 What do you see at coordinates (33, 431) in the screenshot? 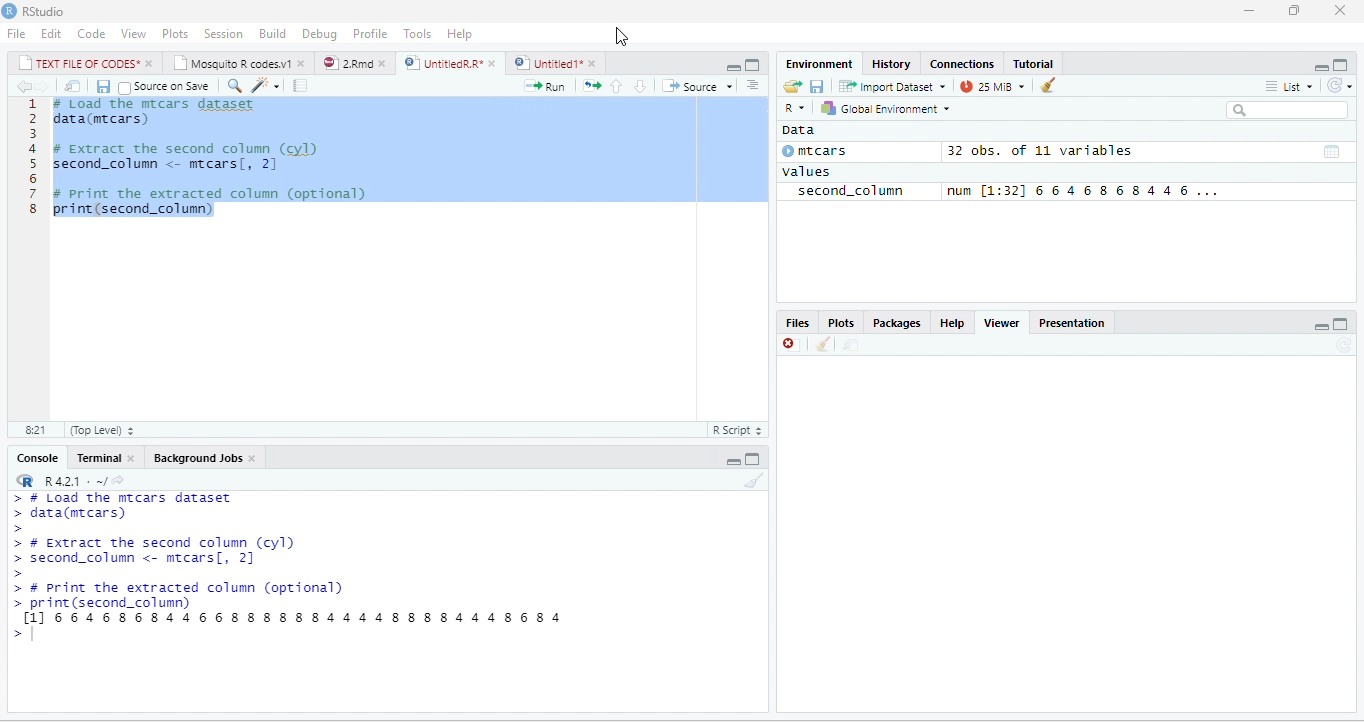
I see `1:1` at bounding box center [33, 431].